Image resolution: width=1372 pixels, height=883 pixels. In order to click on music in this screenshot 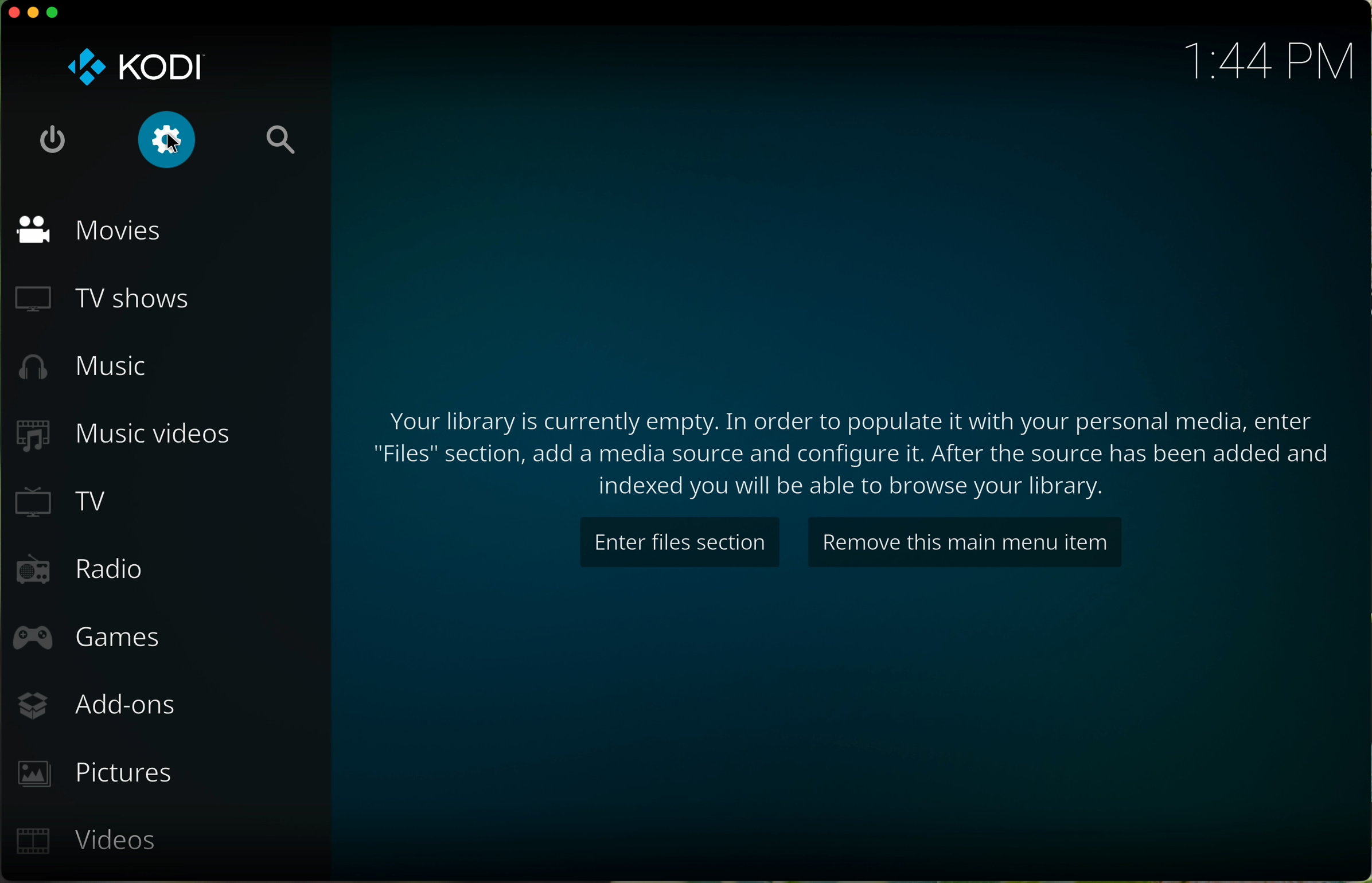, I will do `click(80, 366)`.